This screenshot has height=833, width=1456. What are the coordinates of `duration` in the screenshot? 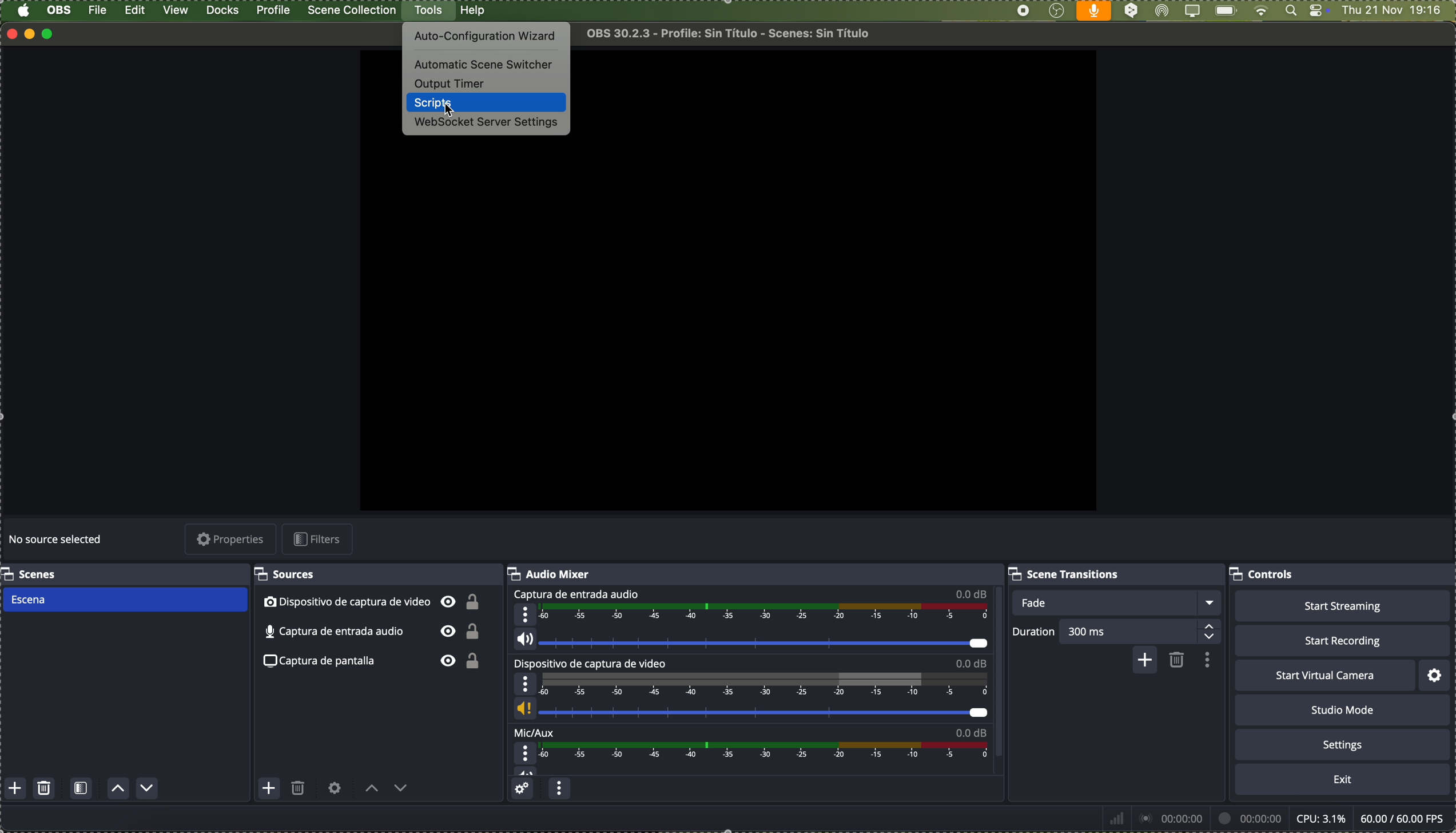 It's located at (1034, 633).